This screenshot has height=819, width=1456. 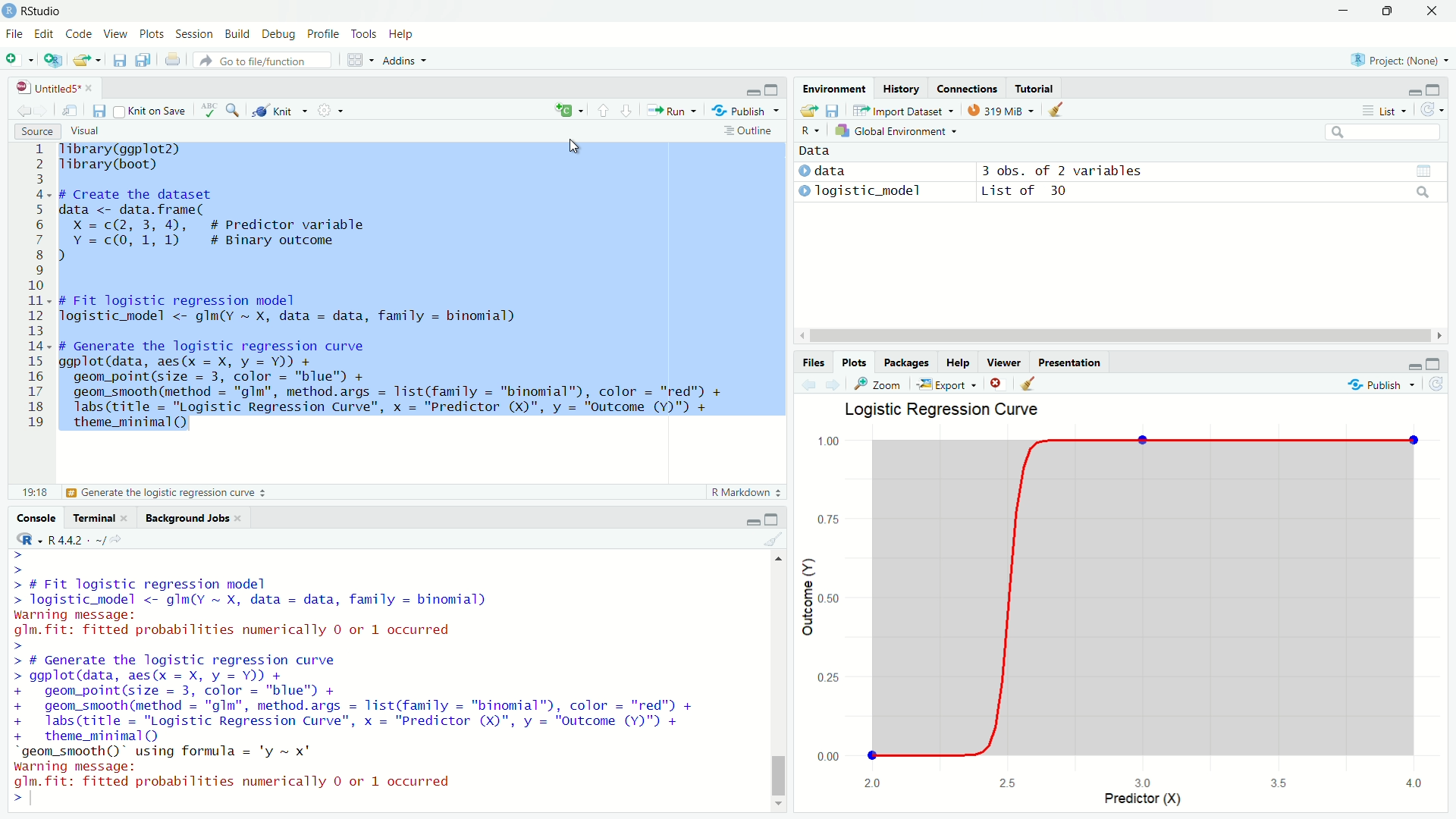 What do you see at coordinates (627, 111) in the screenshot?
I see `Go to next section/chunk` at bounding box center [627, 111].